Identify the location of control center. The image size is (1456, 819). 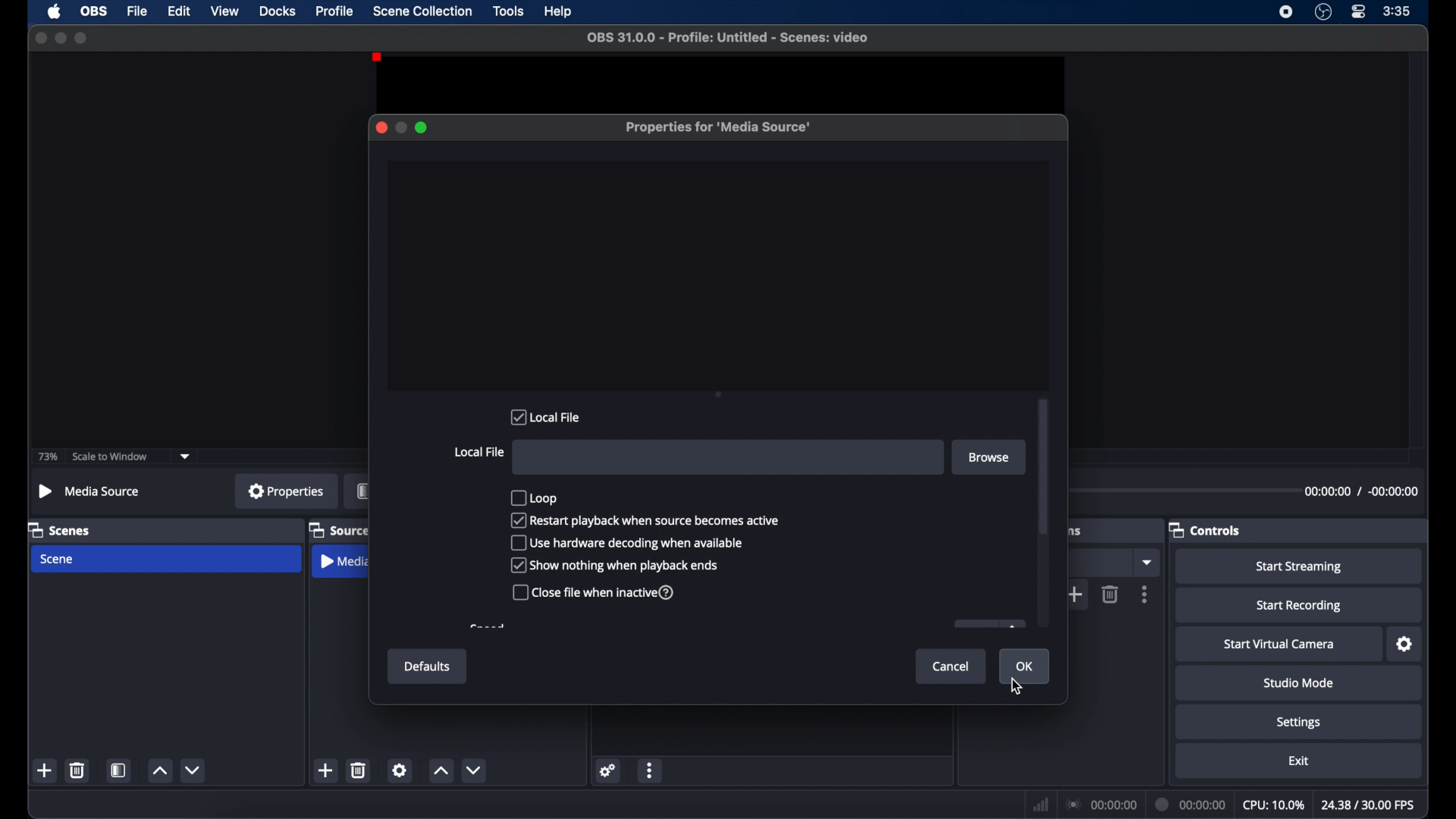
(1360, 12).